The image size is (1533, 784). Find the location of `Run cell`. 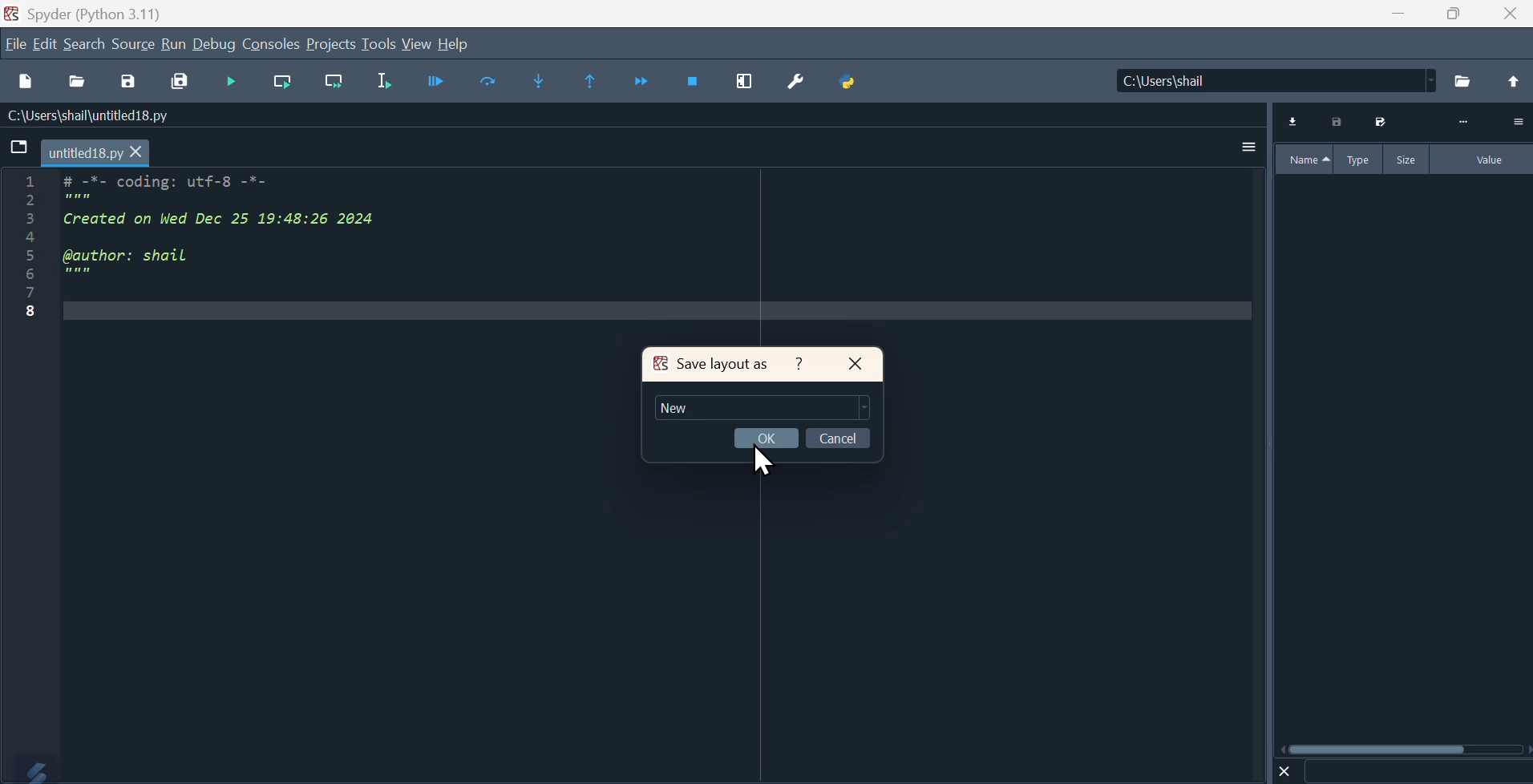

Run cell is located at coordinates (229, 83).